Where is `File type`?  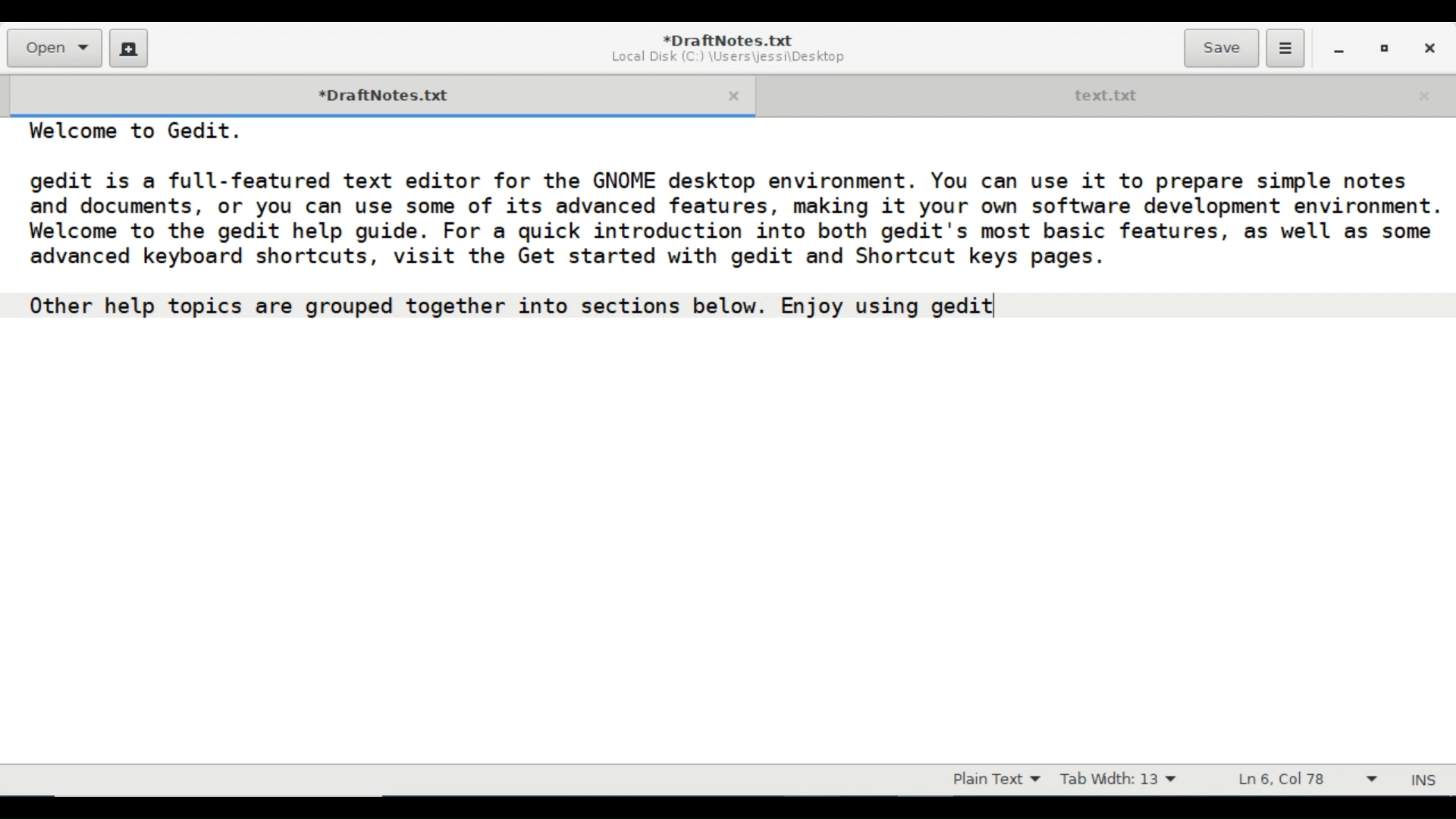
File type is located at coordinates (993, 780).